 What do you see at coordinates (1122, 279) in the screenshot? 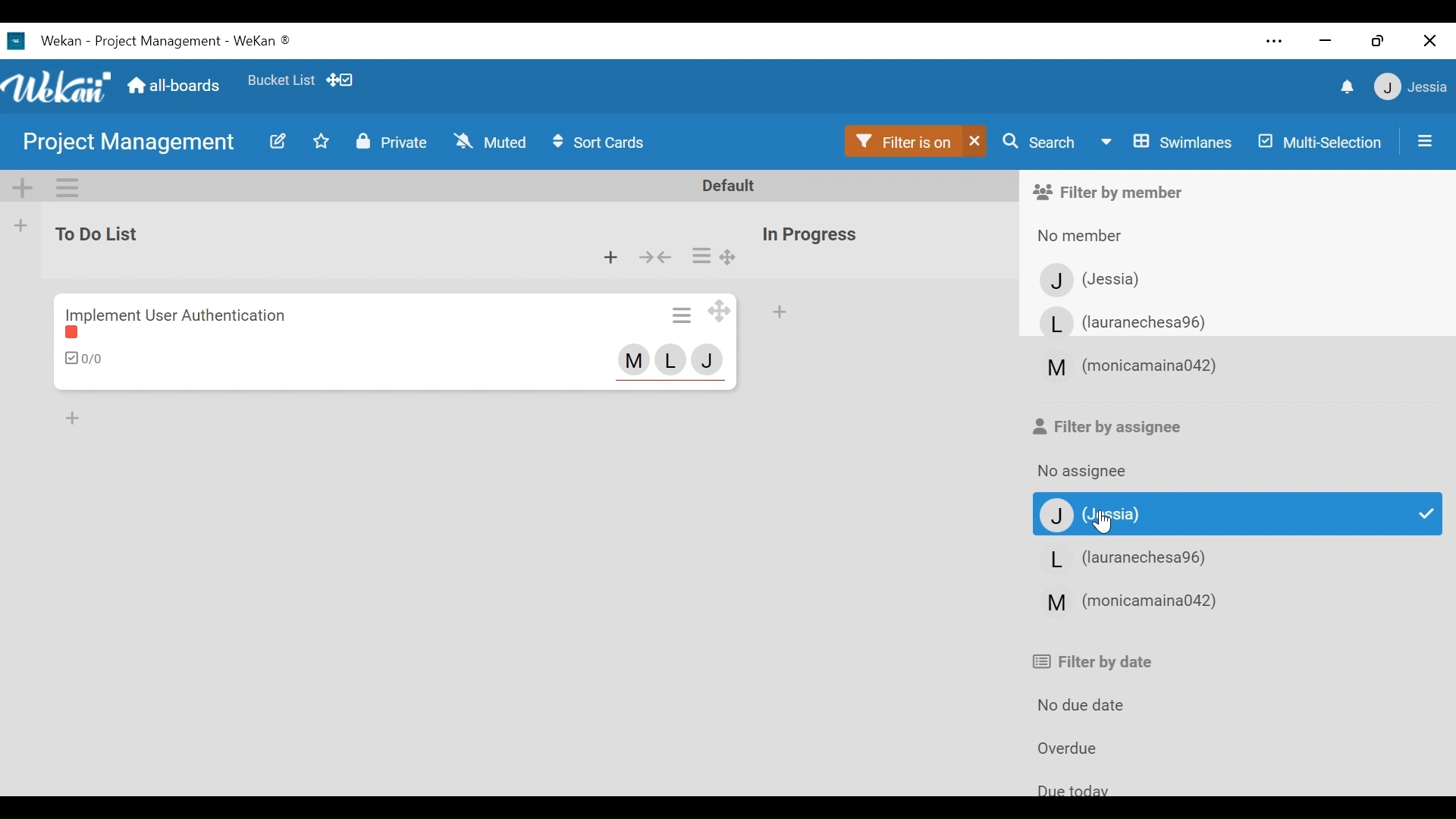
I see `Member` at bounding box center [1122, 279].